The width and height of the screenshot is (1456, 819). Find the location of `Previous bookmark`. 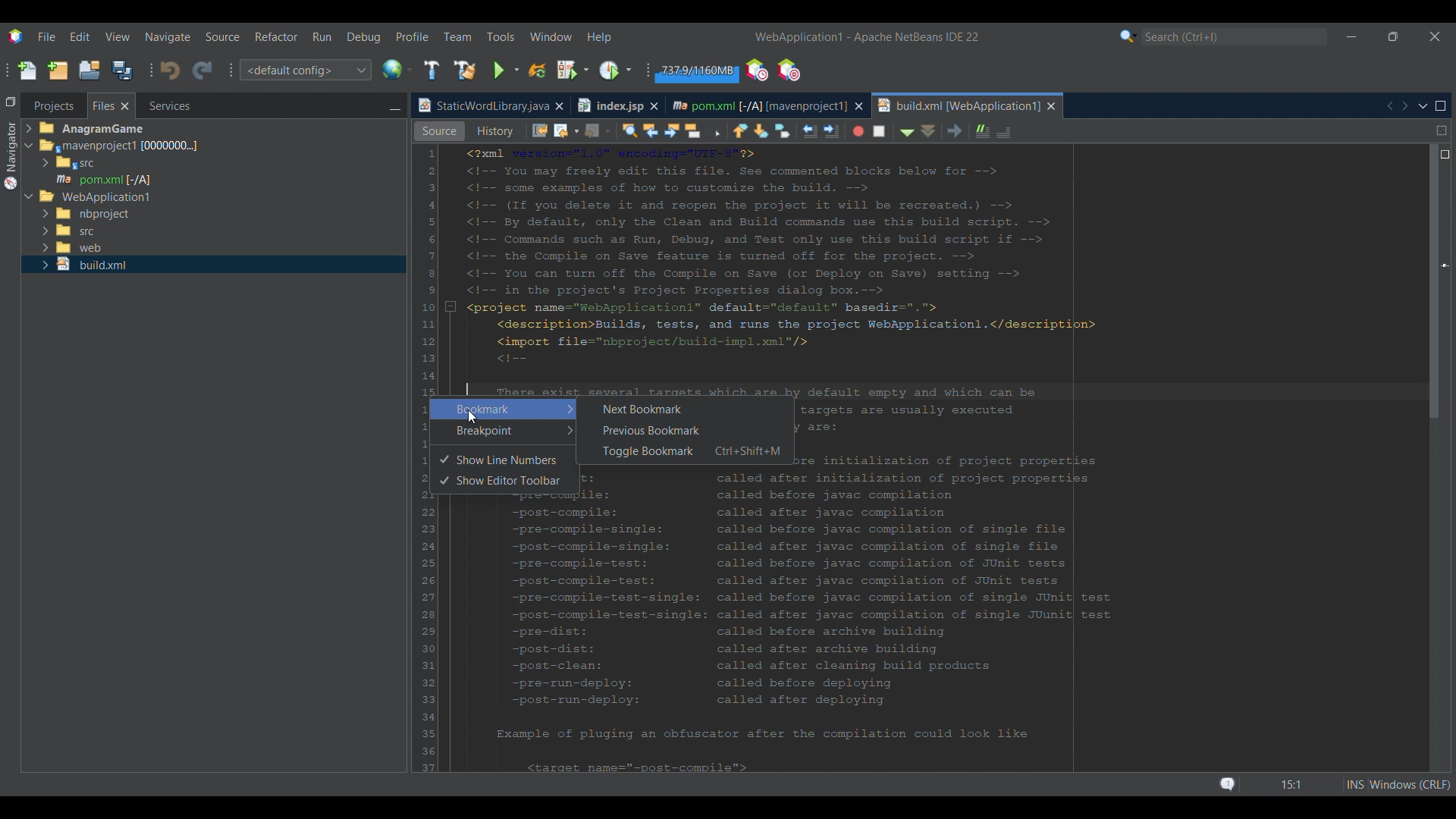

Previous bookmark is located at coordinates (877, 128).